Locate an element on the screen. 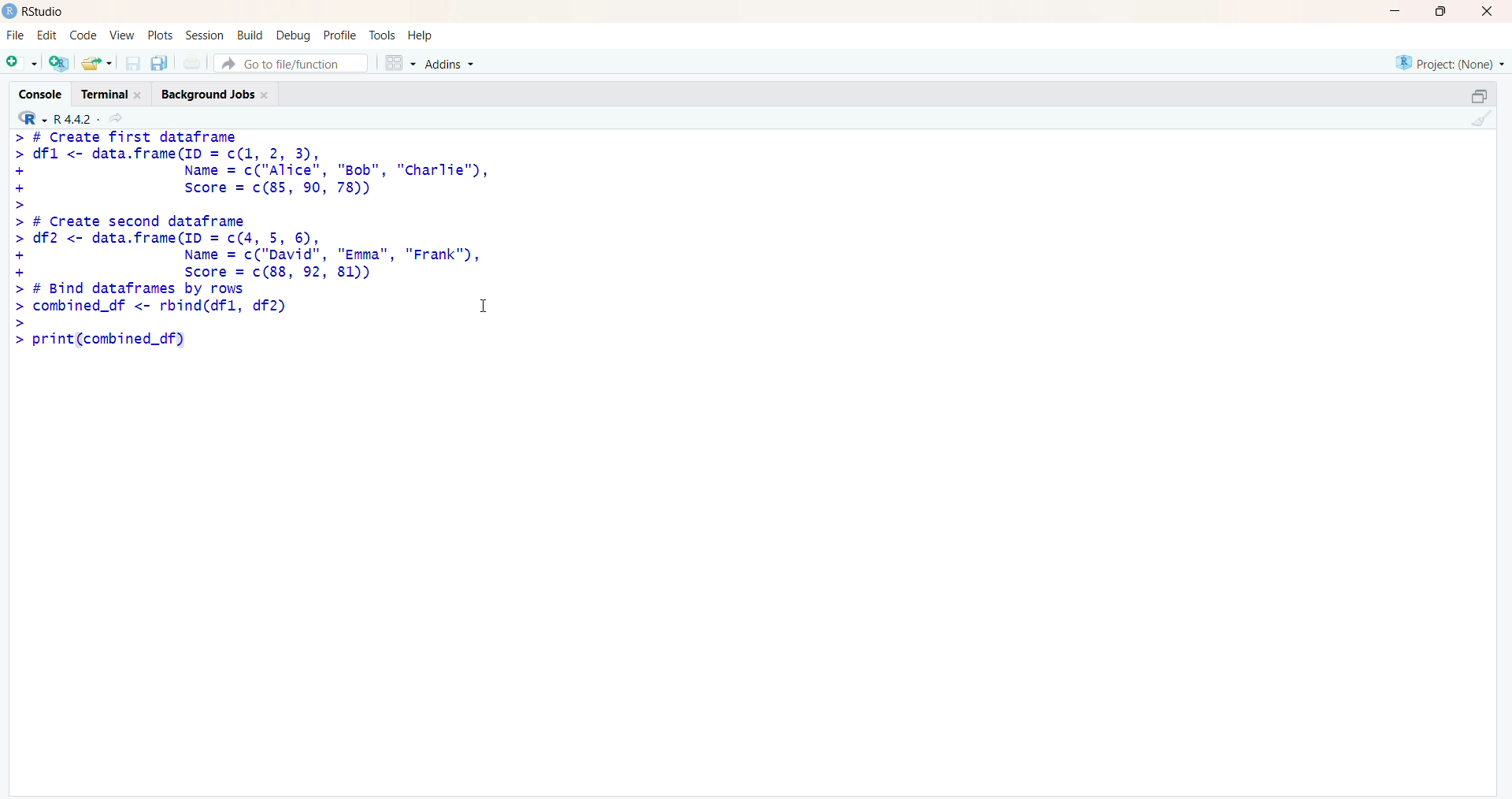 The height and width of the screenshot is (799, 1512). Code is located at coordinates (83, 35).